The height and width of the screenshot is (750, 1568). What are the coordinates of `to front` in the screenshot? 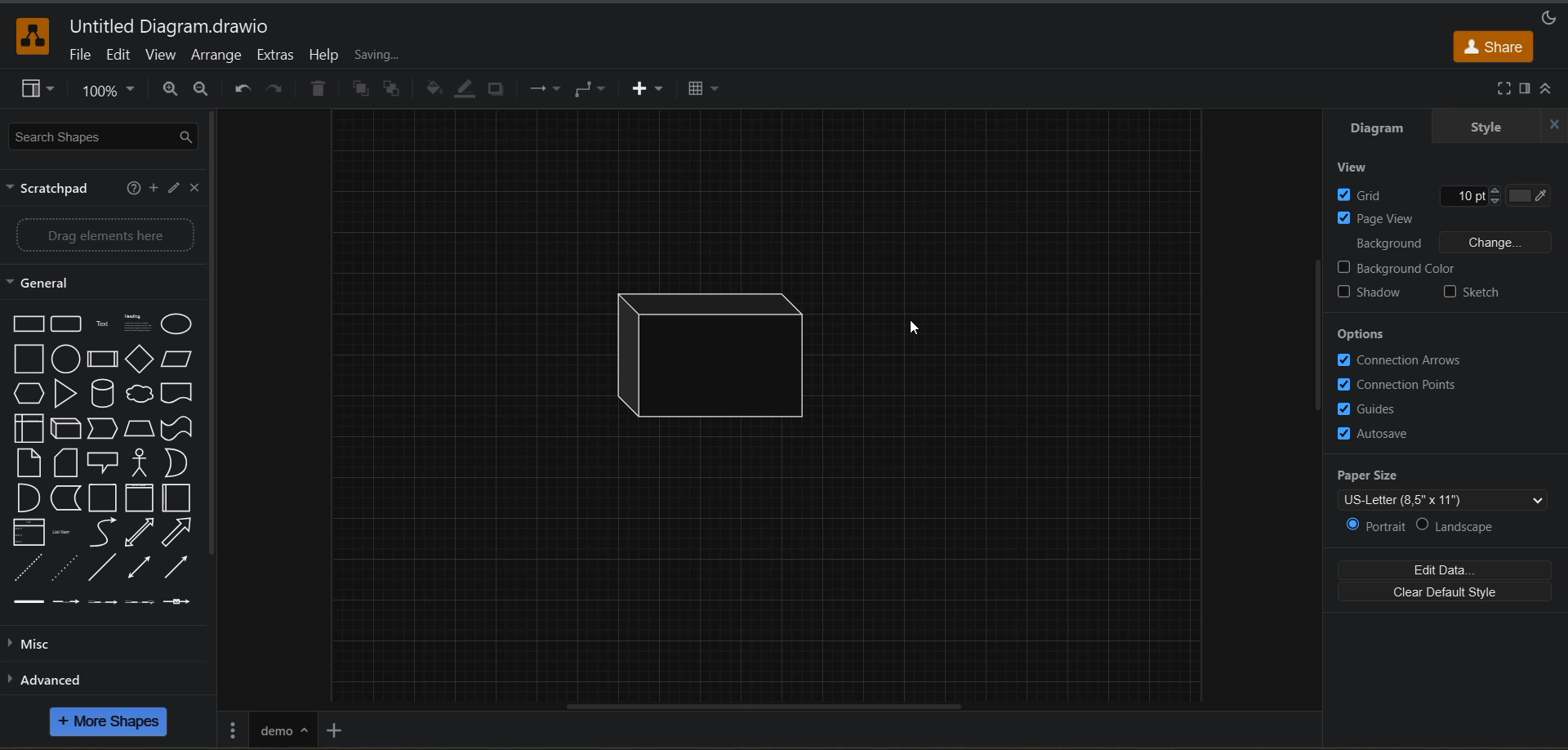 It's located at (362, 91).